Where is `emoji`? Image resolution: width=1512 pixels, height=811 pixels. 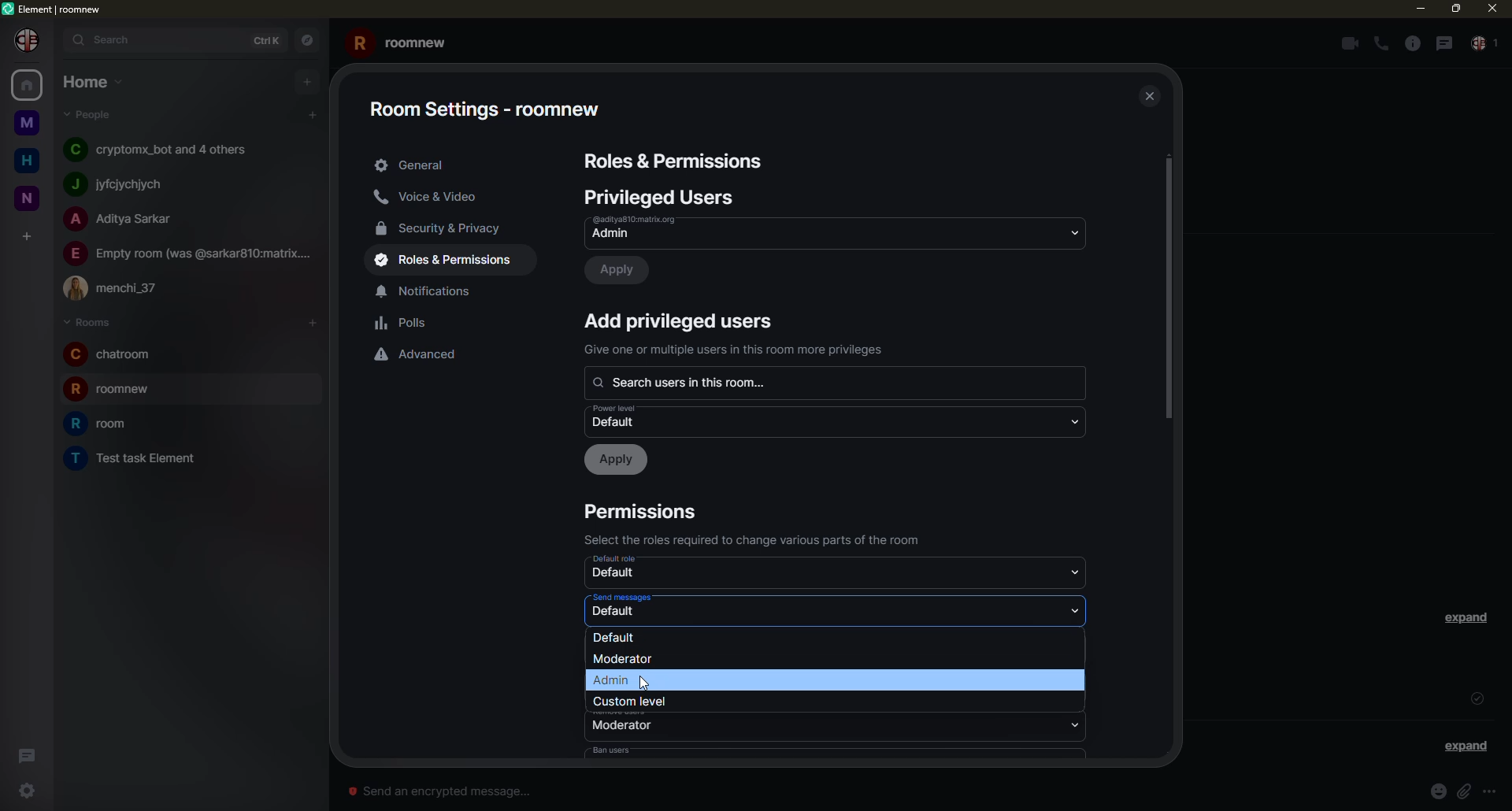
emoji is located at coordinates (1438, 791).